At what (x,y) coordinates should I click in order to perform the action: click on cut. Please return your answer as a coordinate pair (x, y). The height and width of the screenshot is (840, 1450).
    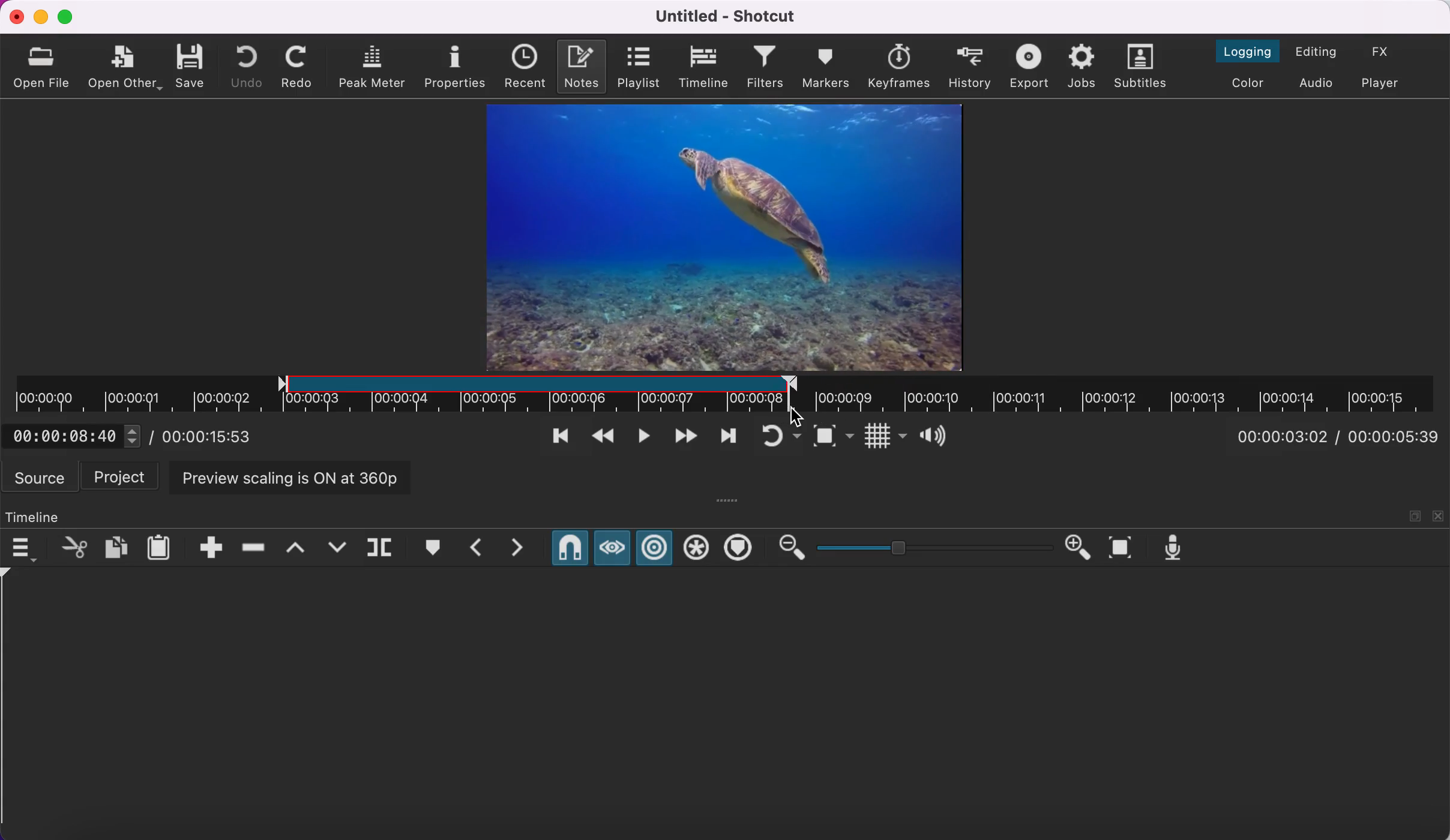
    Looking at the image, I should click on (71, 545).